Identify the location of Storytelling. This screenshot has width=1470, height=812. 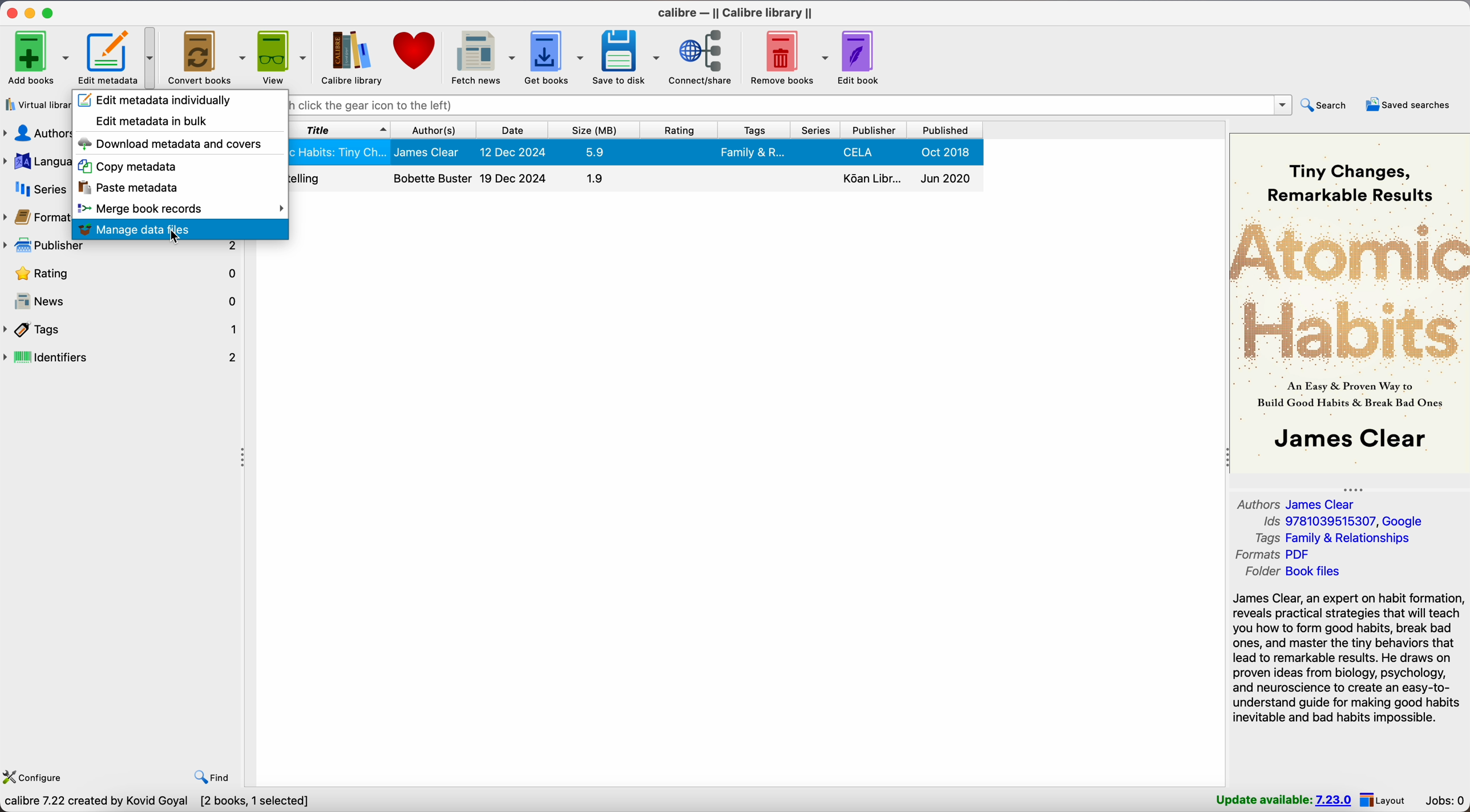
(637, 179).